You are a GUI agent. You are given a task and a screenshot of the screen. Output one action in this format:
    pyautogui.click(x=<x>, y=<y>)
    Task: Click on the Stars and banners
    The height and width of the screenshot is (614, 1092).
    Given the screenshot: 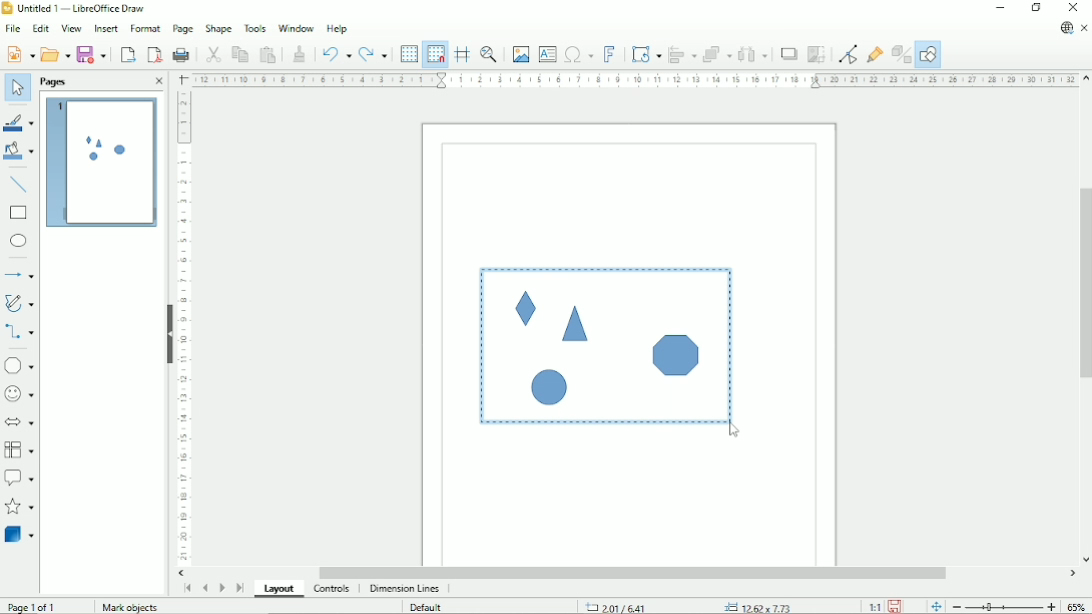 What is the action you would take?
    pyautogui.click(x=21, y=508)
    